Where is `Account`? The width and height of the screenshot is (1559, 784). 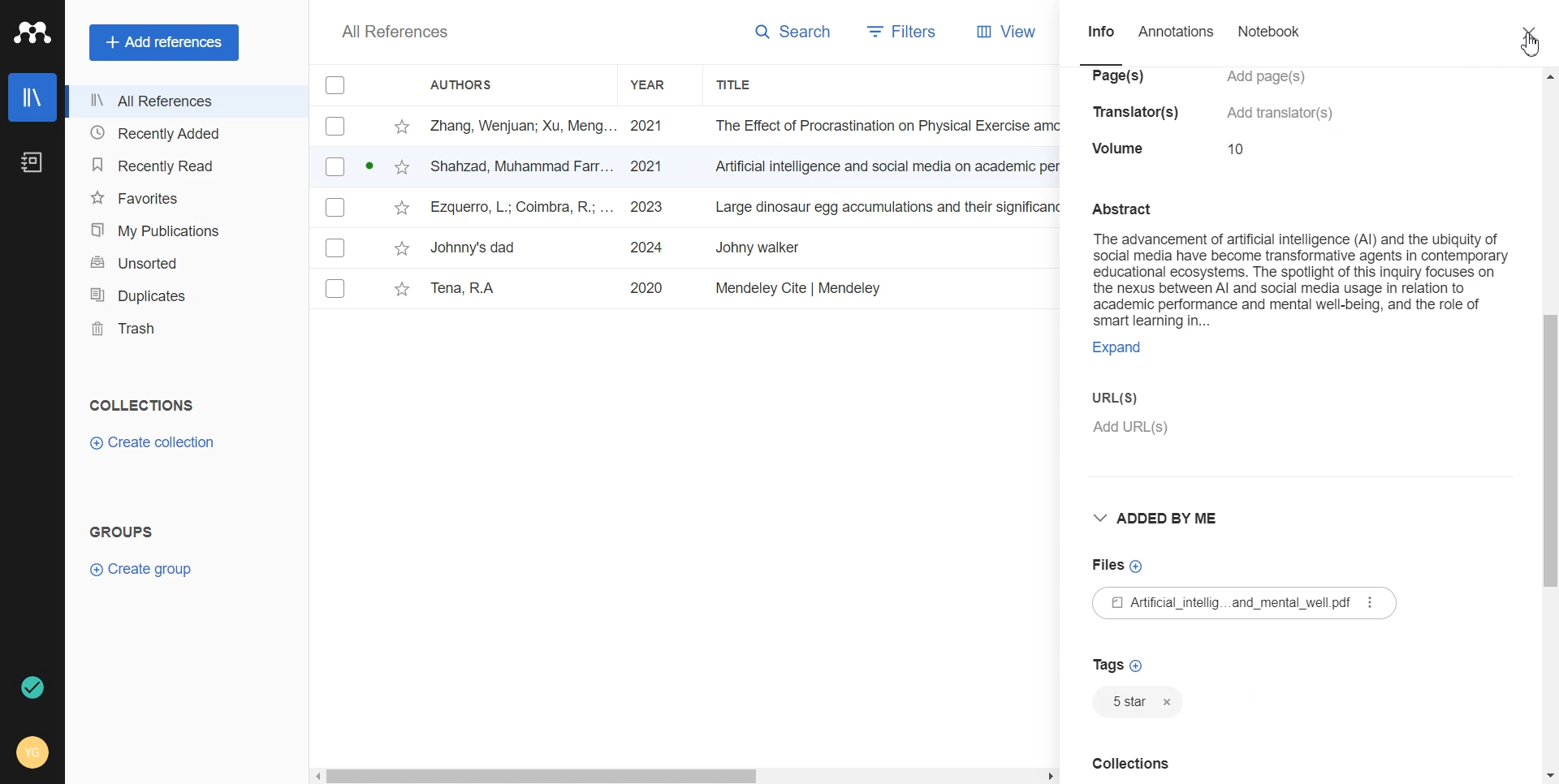
Account is located at coordinates (32, 754).